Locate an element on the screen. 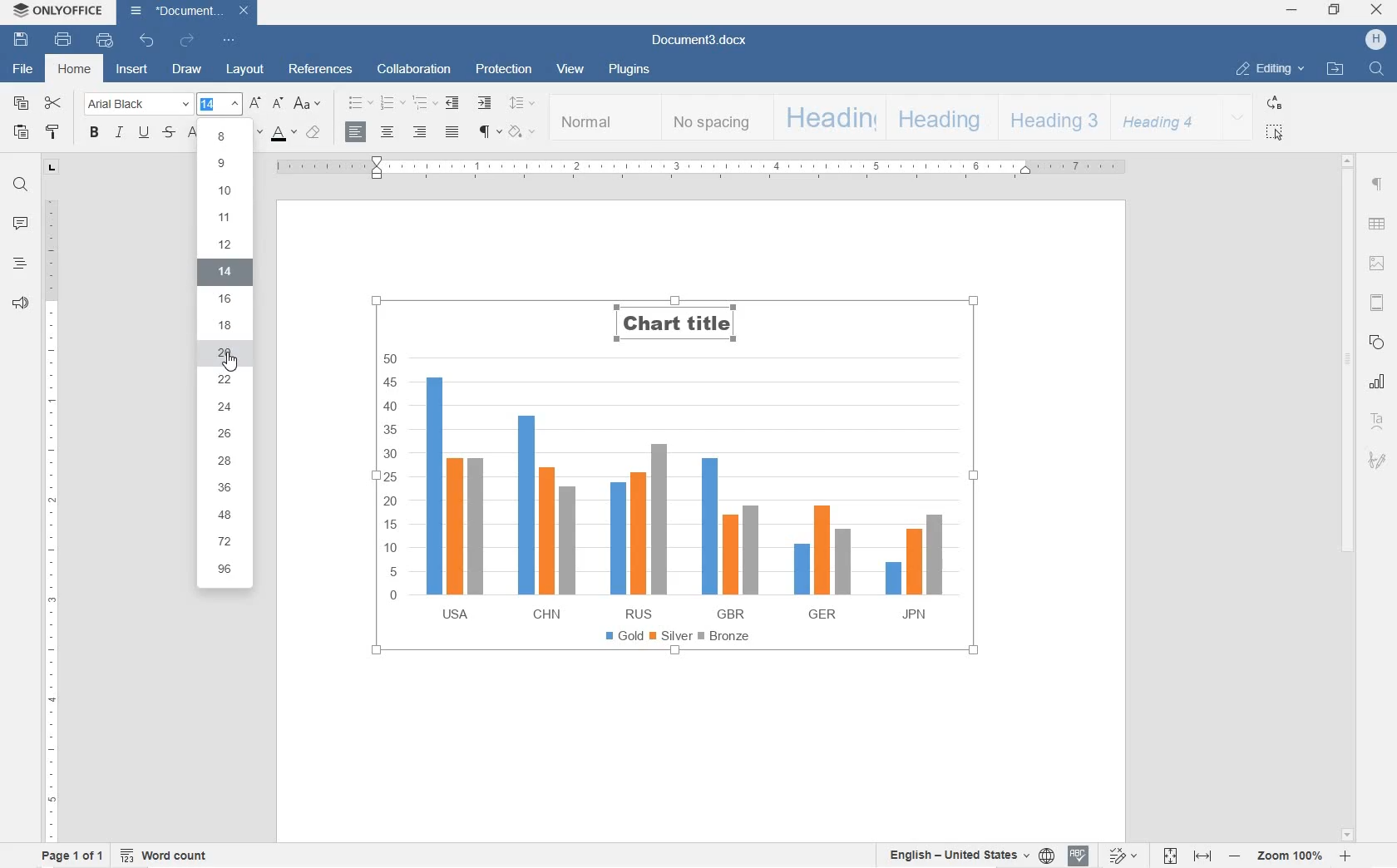  QUICK PRINT is located at coordinates (101, 41).